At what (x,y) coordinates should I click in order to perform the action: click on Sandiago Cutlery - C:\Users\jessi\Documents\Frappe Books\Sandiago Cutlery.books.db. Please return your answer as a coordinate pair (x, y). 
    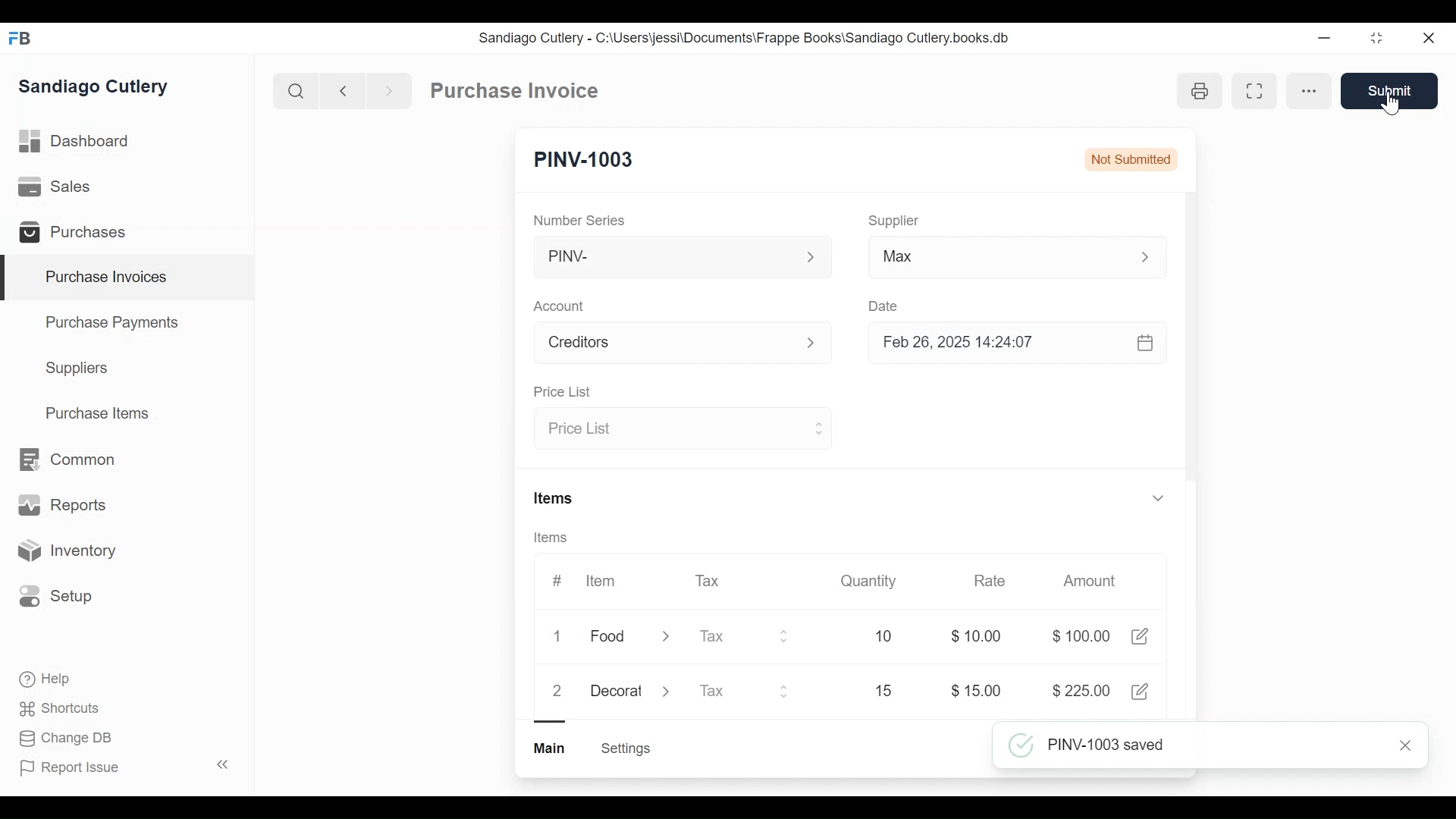
    Looking at the image, I should click on (745, 38).